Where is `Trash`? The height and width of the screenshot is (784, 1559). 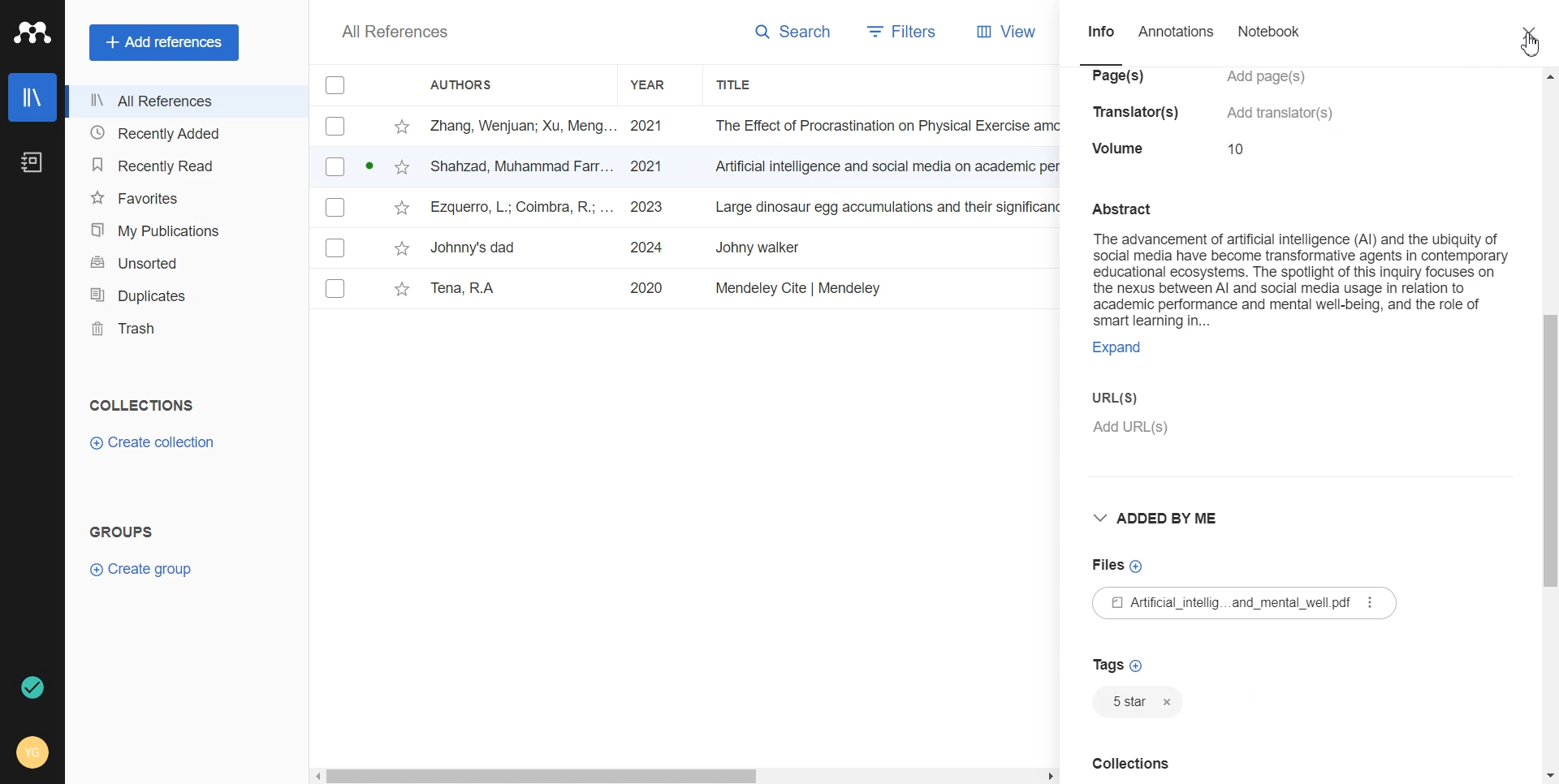
Trash is located at coordinates (184, 329).